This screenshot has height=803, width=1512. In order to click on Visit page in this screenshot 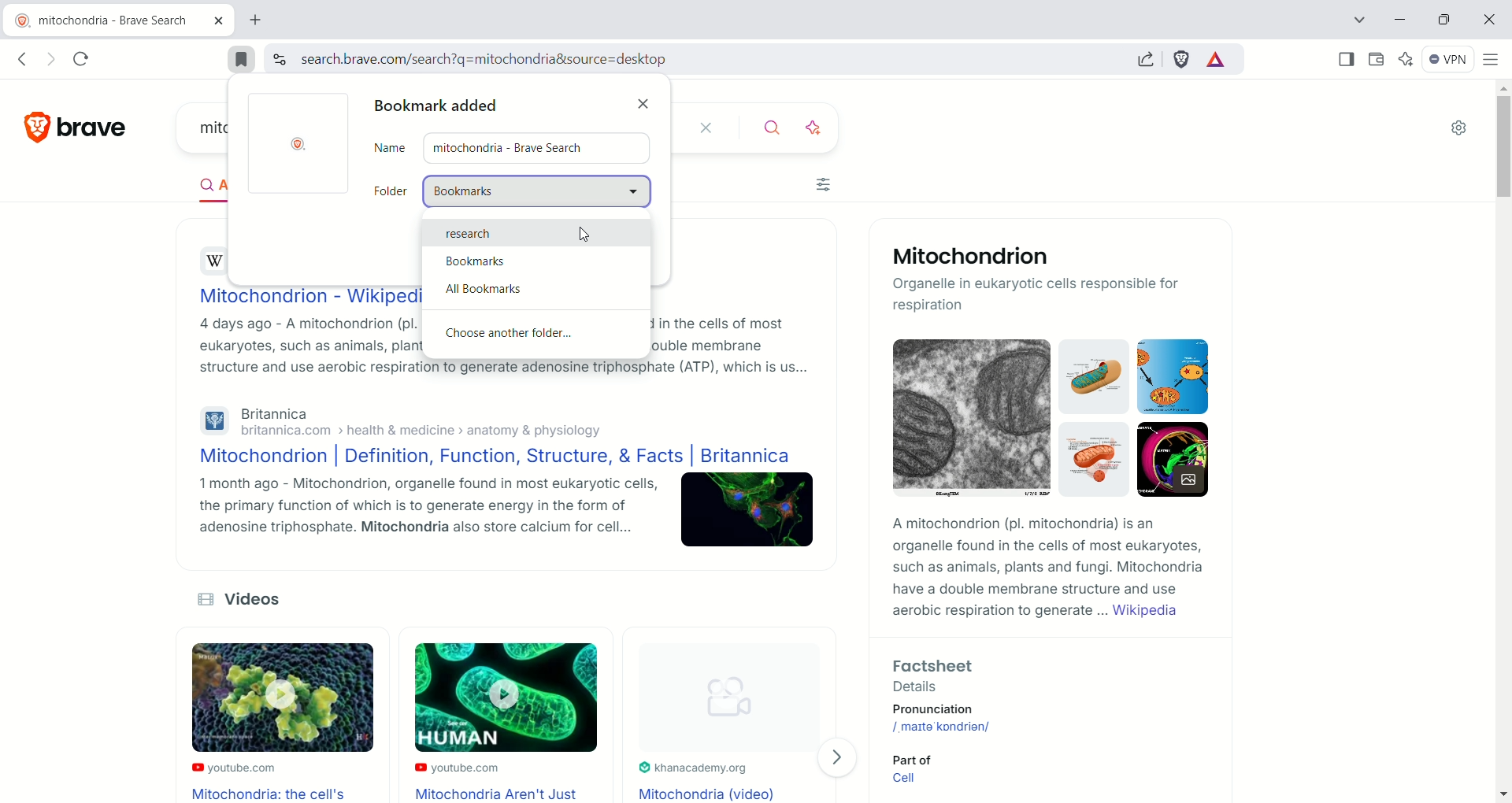, I will do `click(842, 757)`.